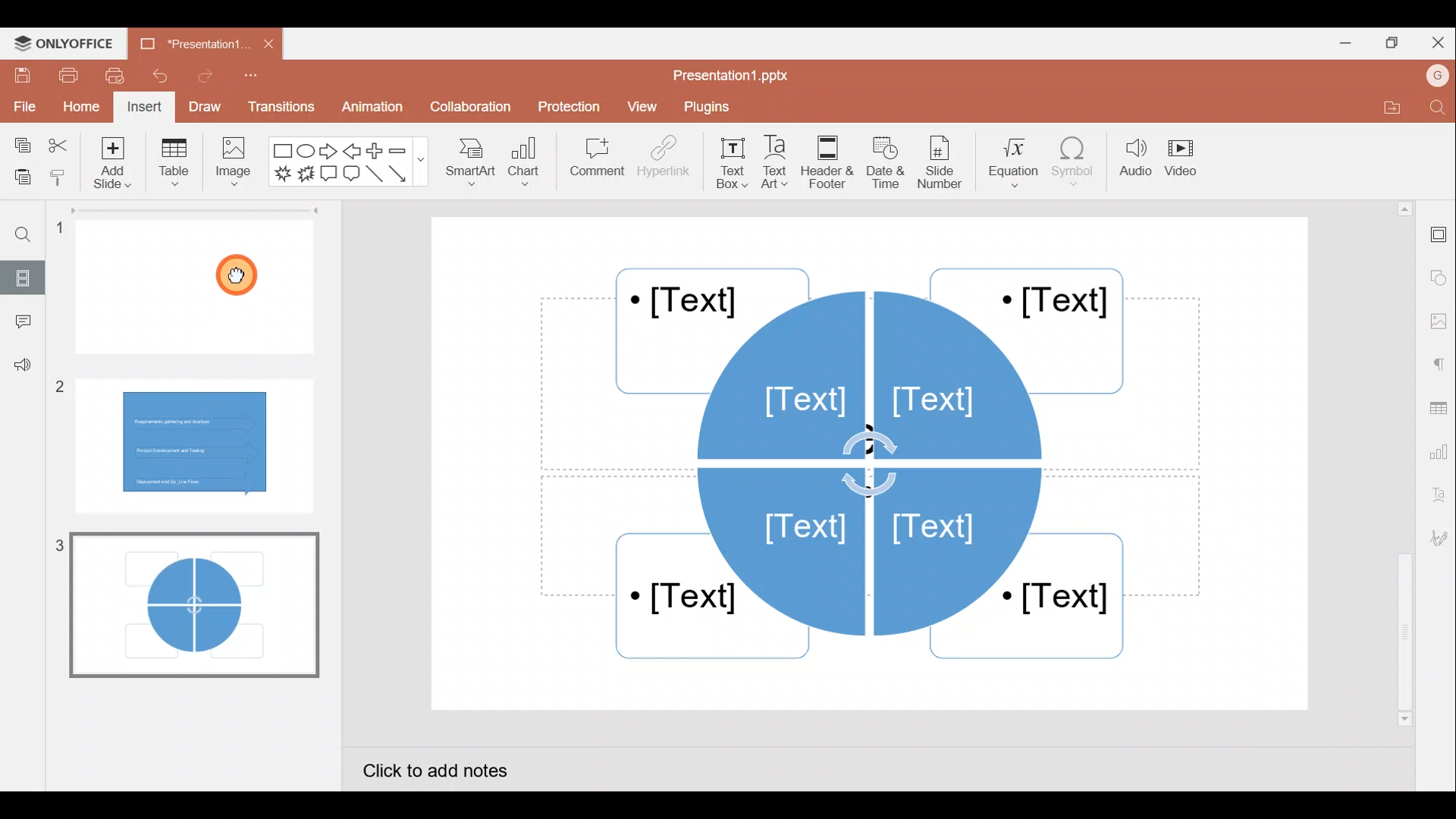  I want to click on Slide number, so click(945, 162).